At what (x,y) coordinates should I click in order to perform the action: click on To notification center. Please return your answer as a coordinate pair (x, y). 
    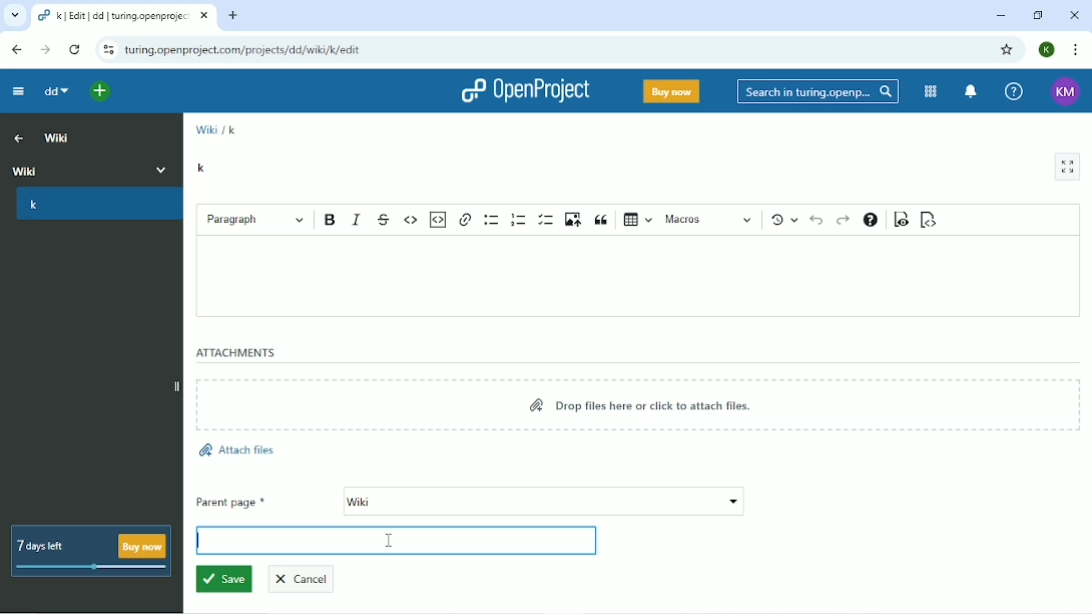
    Looking at the image, I should click on (971, 91).